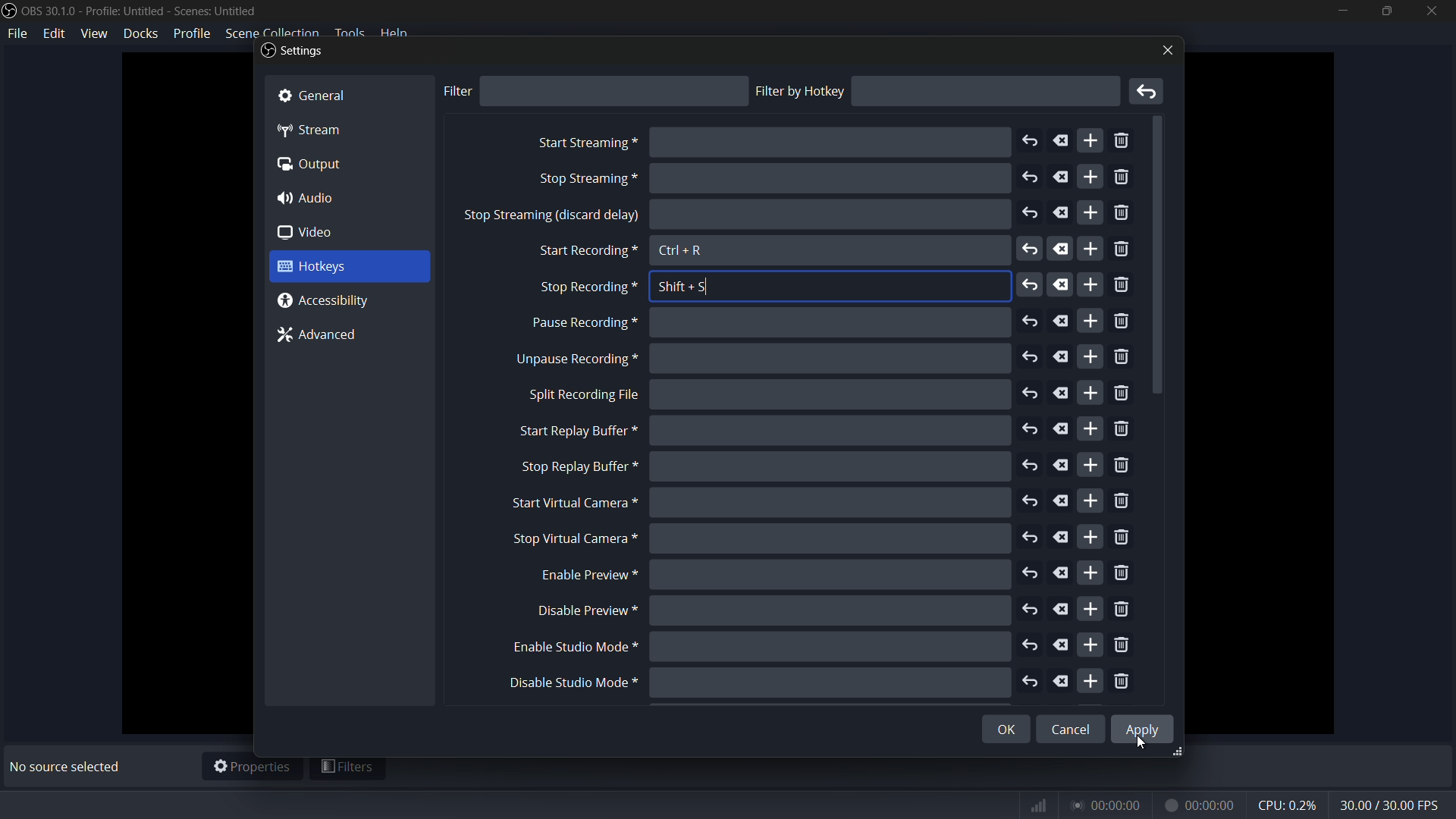  What do you see at coordinates (570, 504) in the screenshot?
I see `start virtual camera` at bounding box center [570, 504].